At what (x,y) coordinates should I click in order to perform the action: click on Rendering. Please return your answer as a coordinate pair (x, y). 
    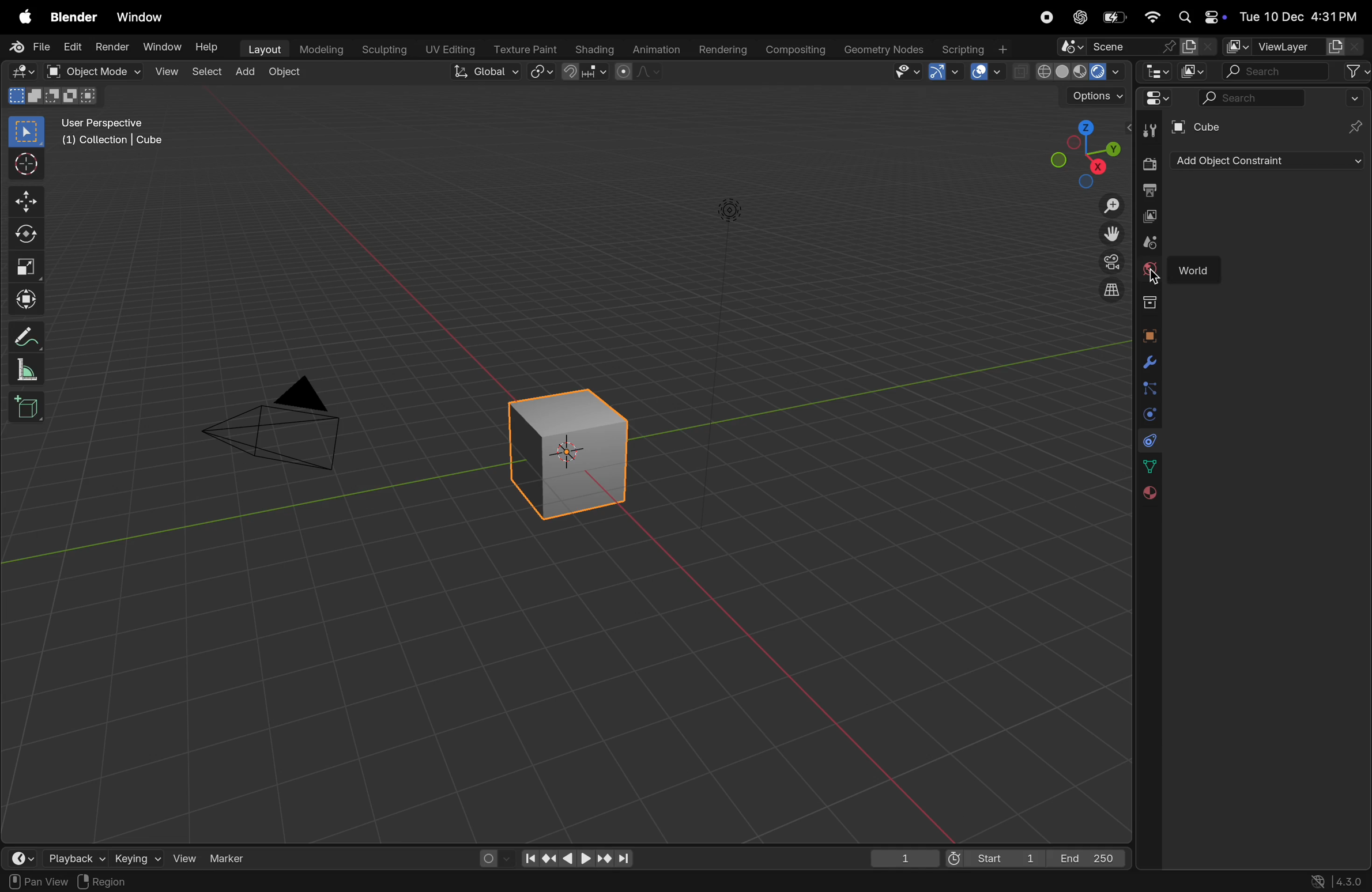
    Looking at the image, I should click on (721, 49).